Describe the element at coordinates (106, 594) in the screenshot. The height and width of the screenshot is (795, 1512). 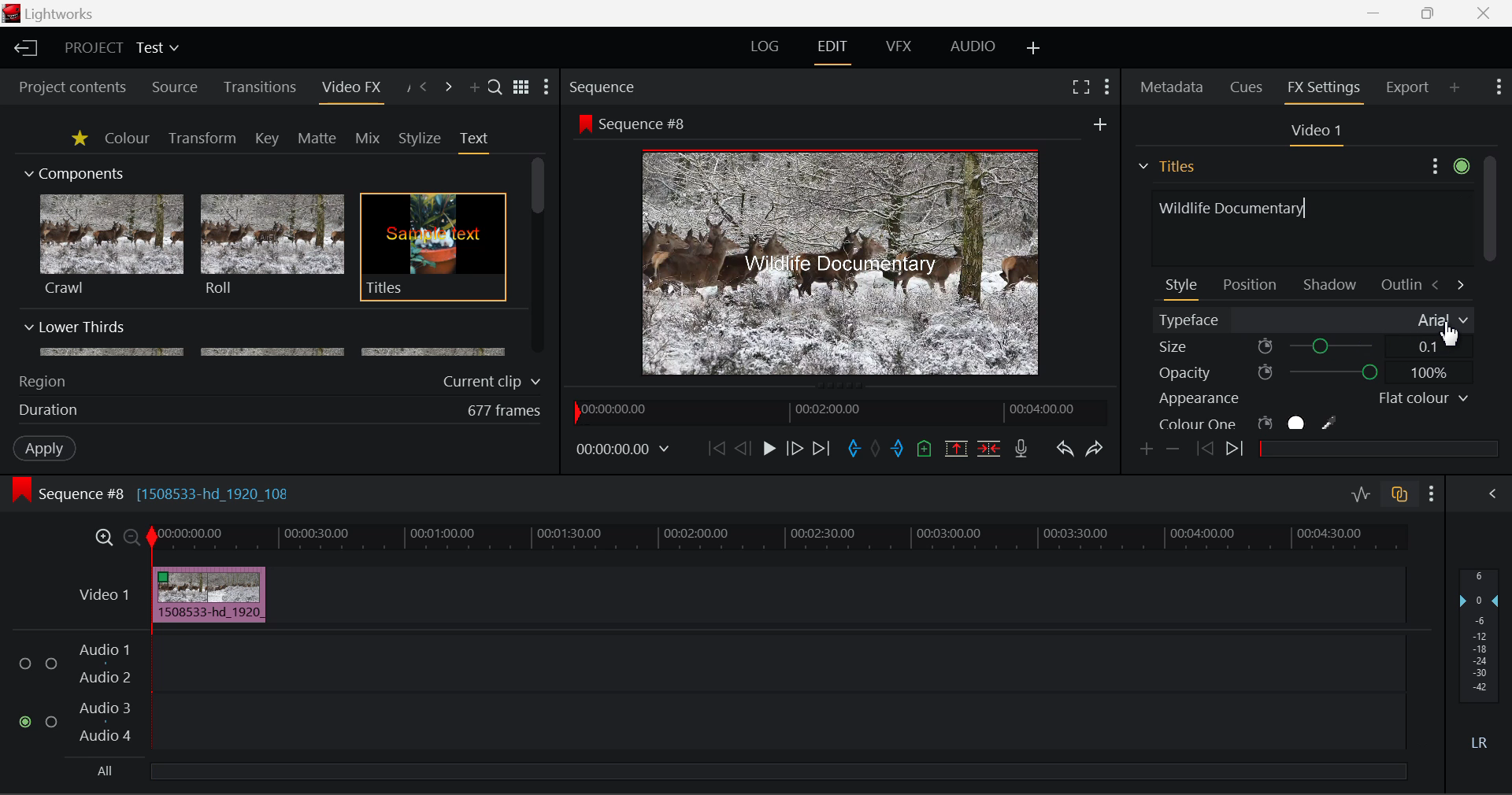
I see `Video 1` at that location.